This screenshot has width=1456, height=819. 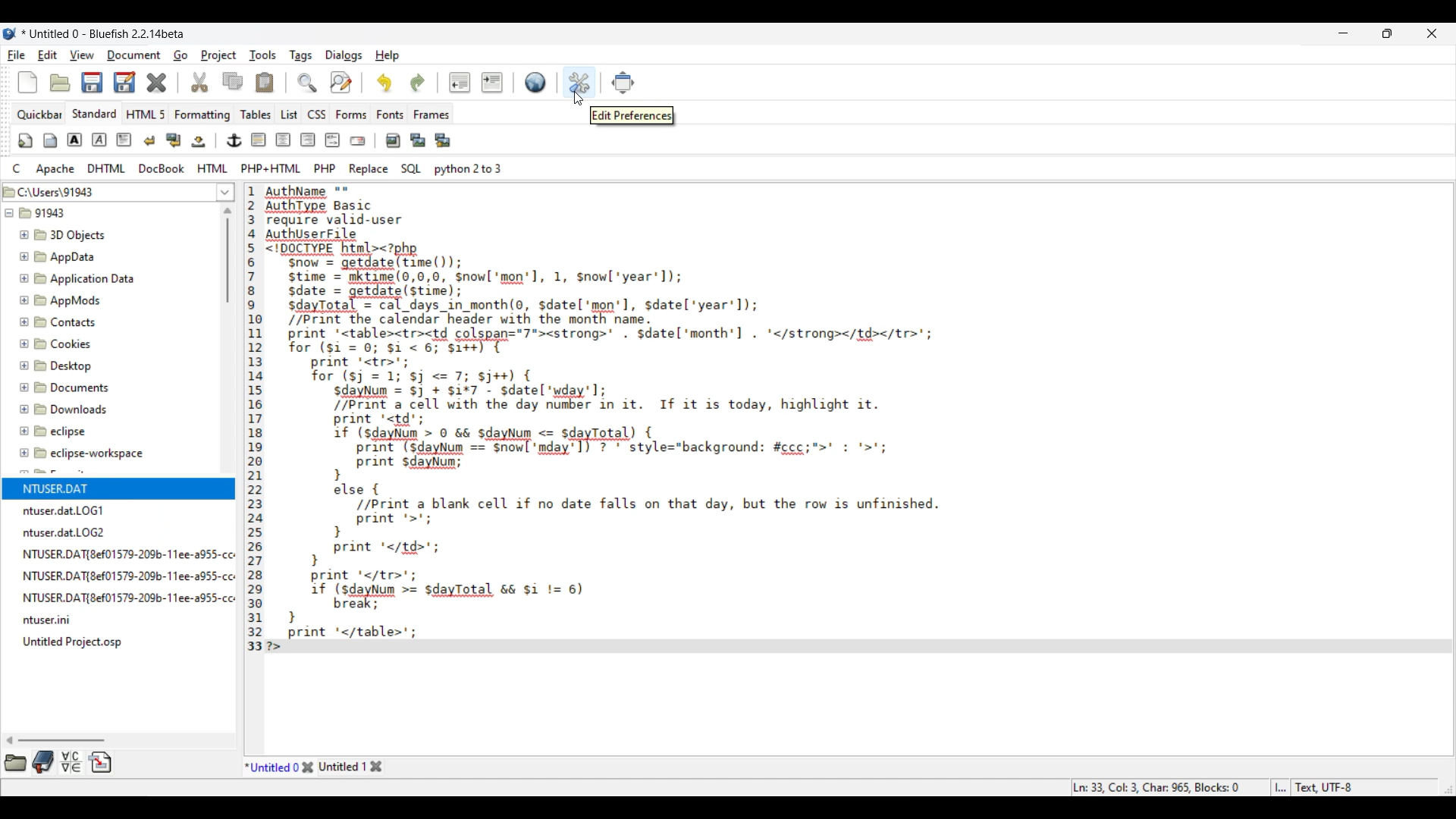 What do you see at coordinates (308, 767) in the screenshot?
I see `Close tab` at bounding box center [308, 767].